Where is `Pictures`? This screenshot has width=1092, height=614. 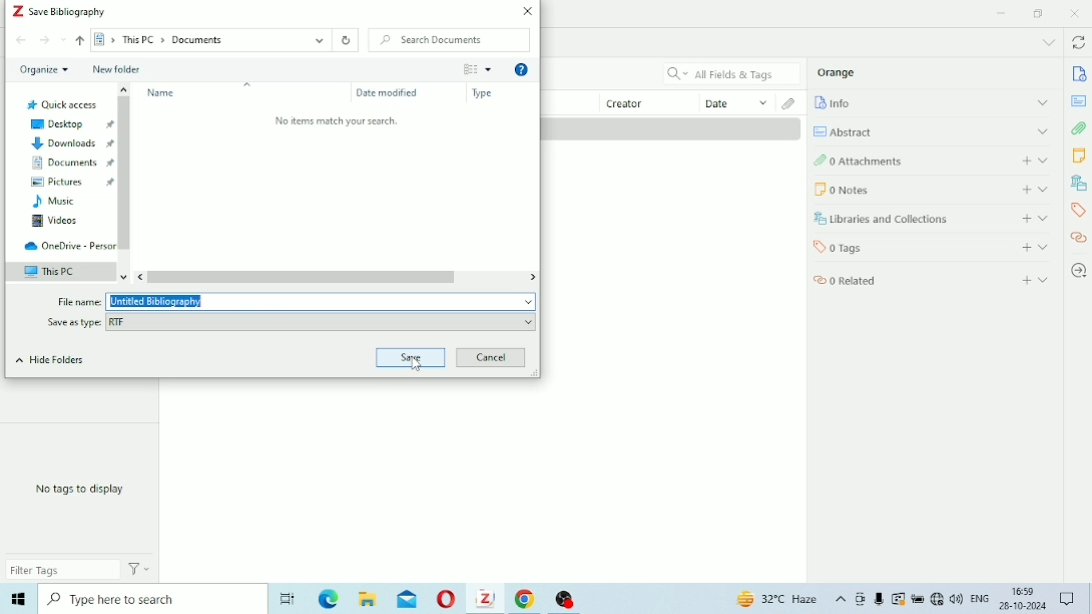
Pictures is located at coordinates (71, 183).